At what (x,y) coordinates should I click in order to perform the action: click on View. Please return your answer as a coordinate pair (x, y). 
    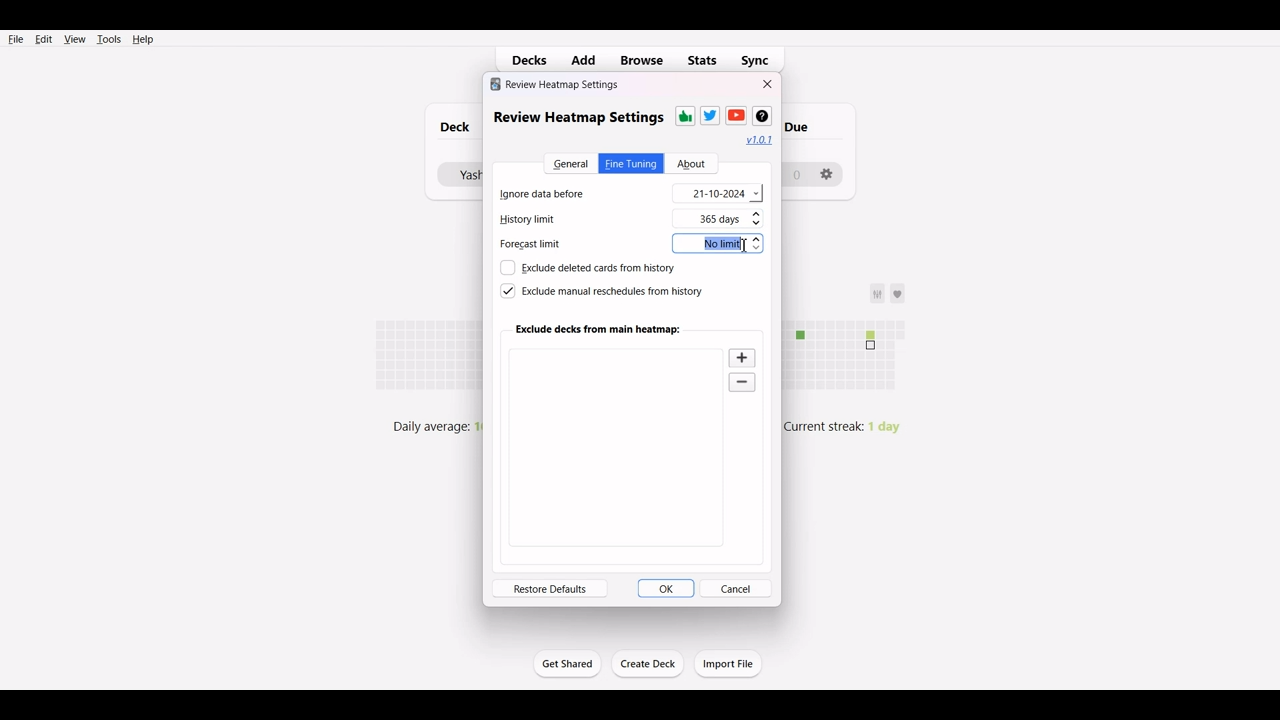
    Looking at the image, I should click on (74, 39).